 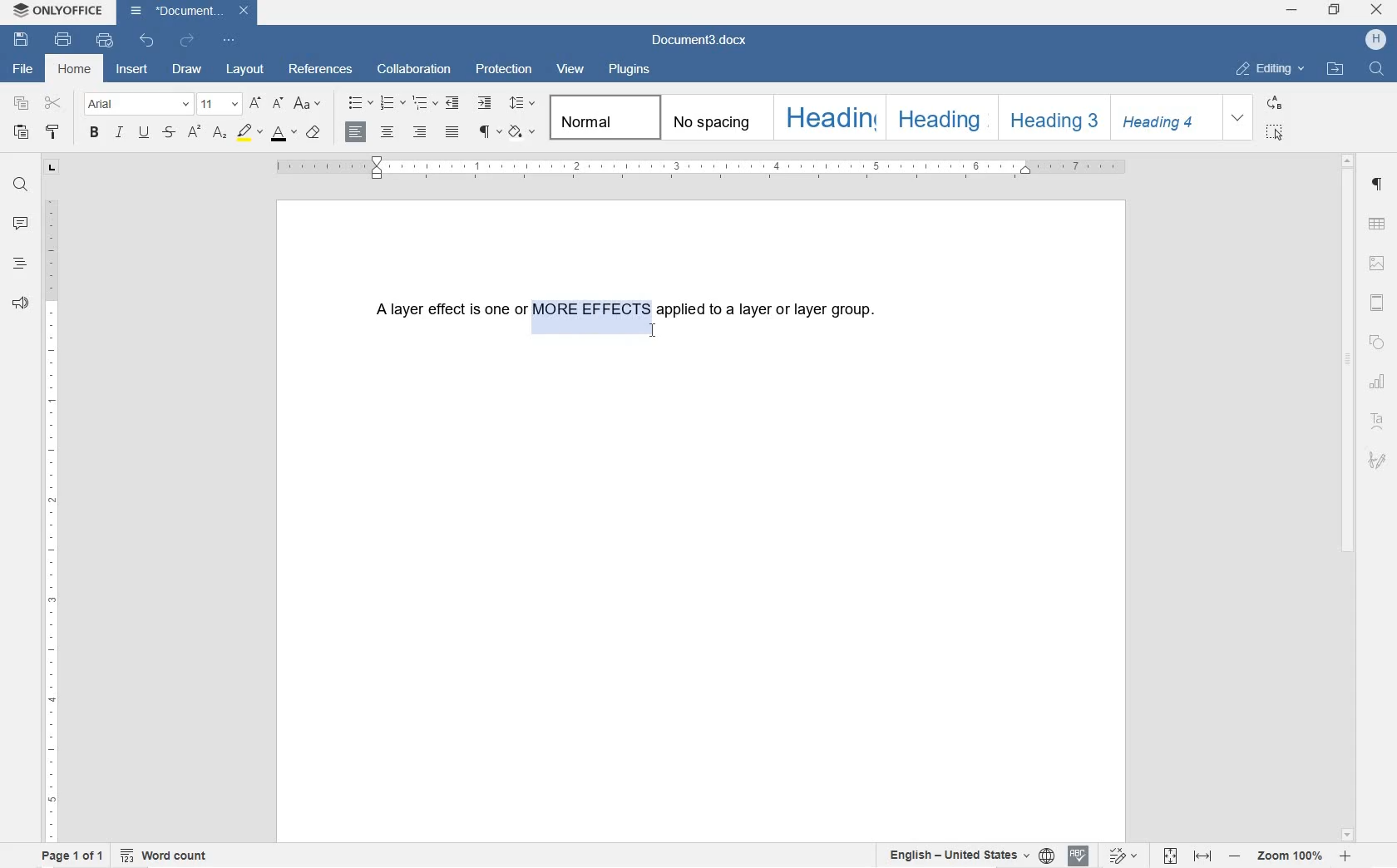 What do you see at coordinates (278, 104) in the screenshot?
I see `INCREMENT FONT SIZE` at bounding box center [278, 104].